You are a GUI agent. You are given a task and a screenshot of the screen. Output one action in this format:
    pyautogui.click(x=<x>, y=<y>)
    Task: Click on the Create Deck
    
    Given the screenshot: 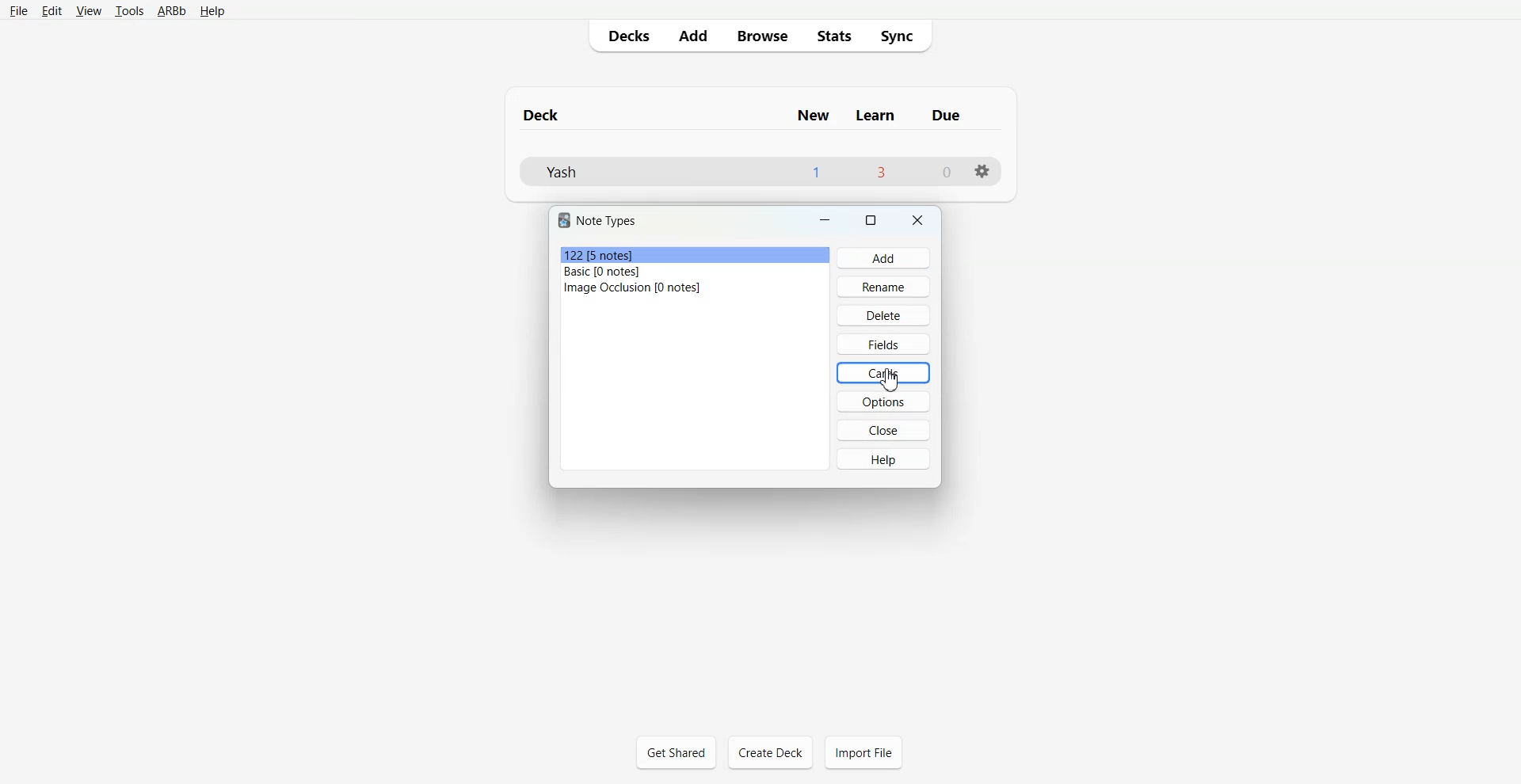 What is the action you would take?
    pyautogui.click(x=771, y=752)
    